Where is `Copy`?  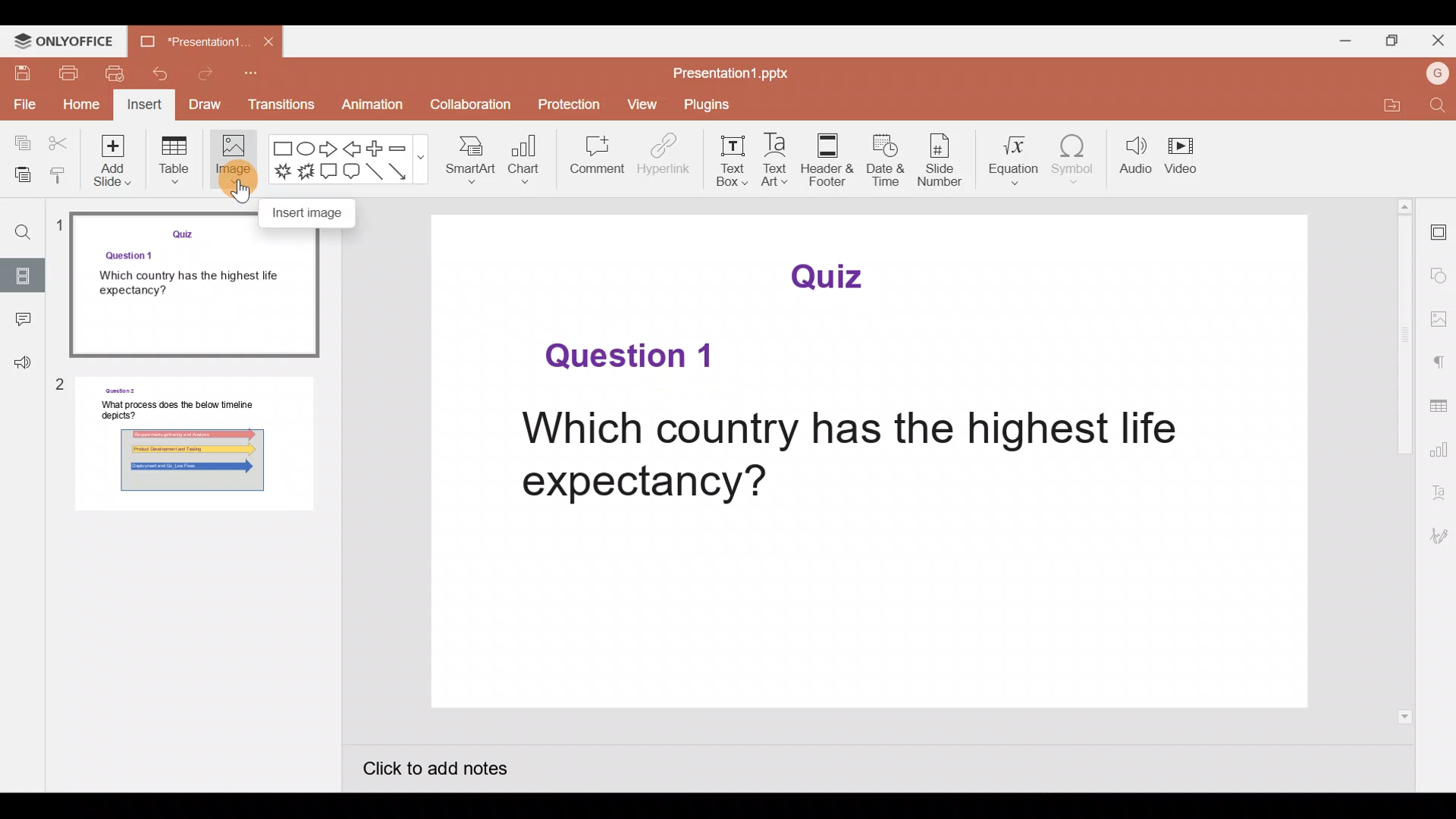 Copy is located at coordinates (19, 143).